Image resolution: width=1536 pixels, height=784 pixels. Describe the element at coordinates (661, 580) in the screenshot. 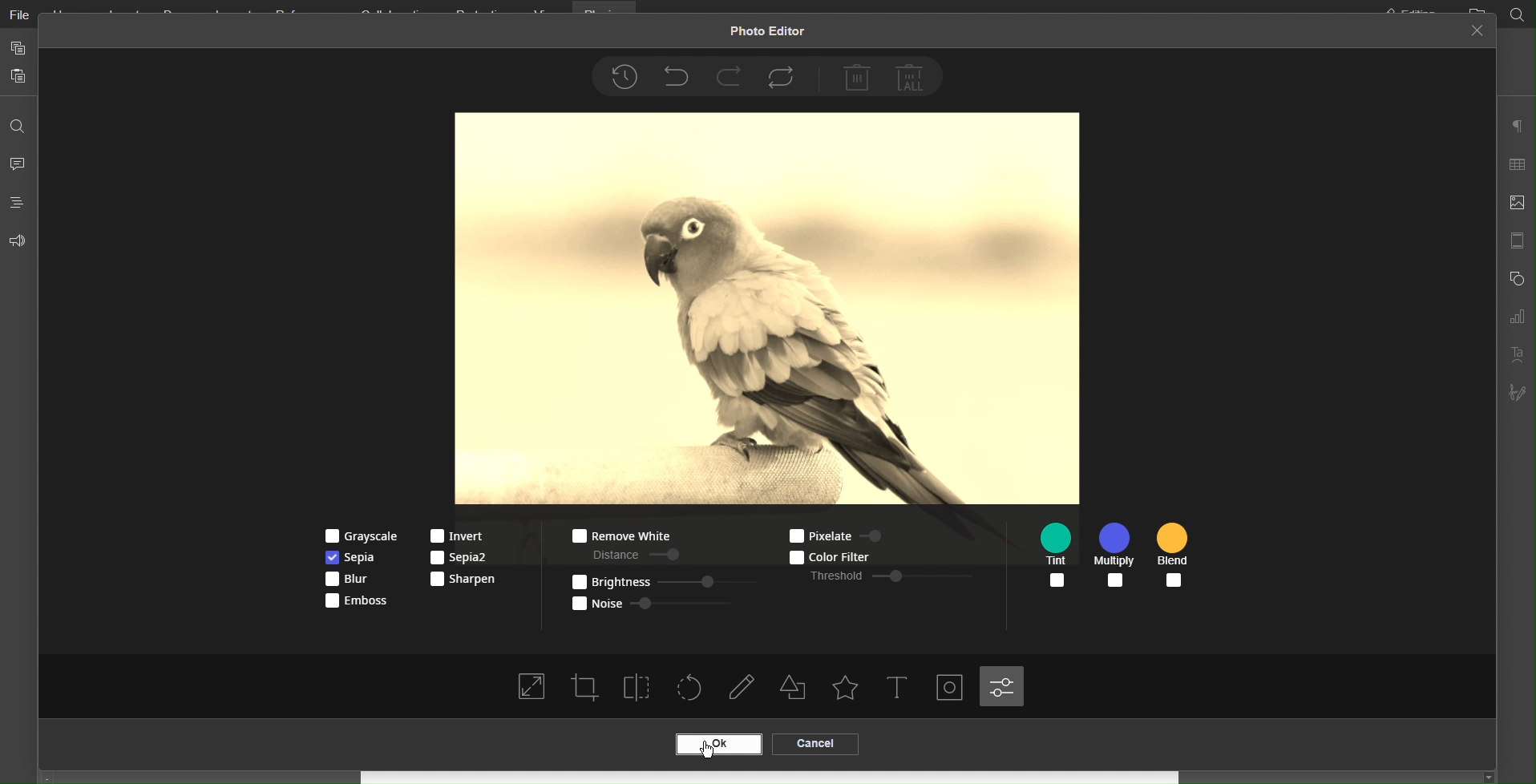

I see `Brightness` at that location.